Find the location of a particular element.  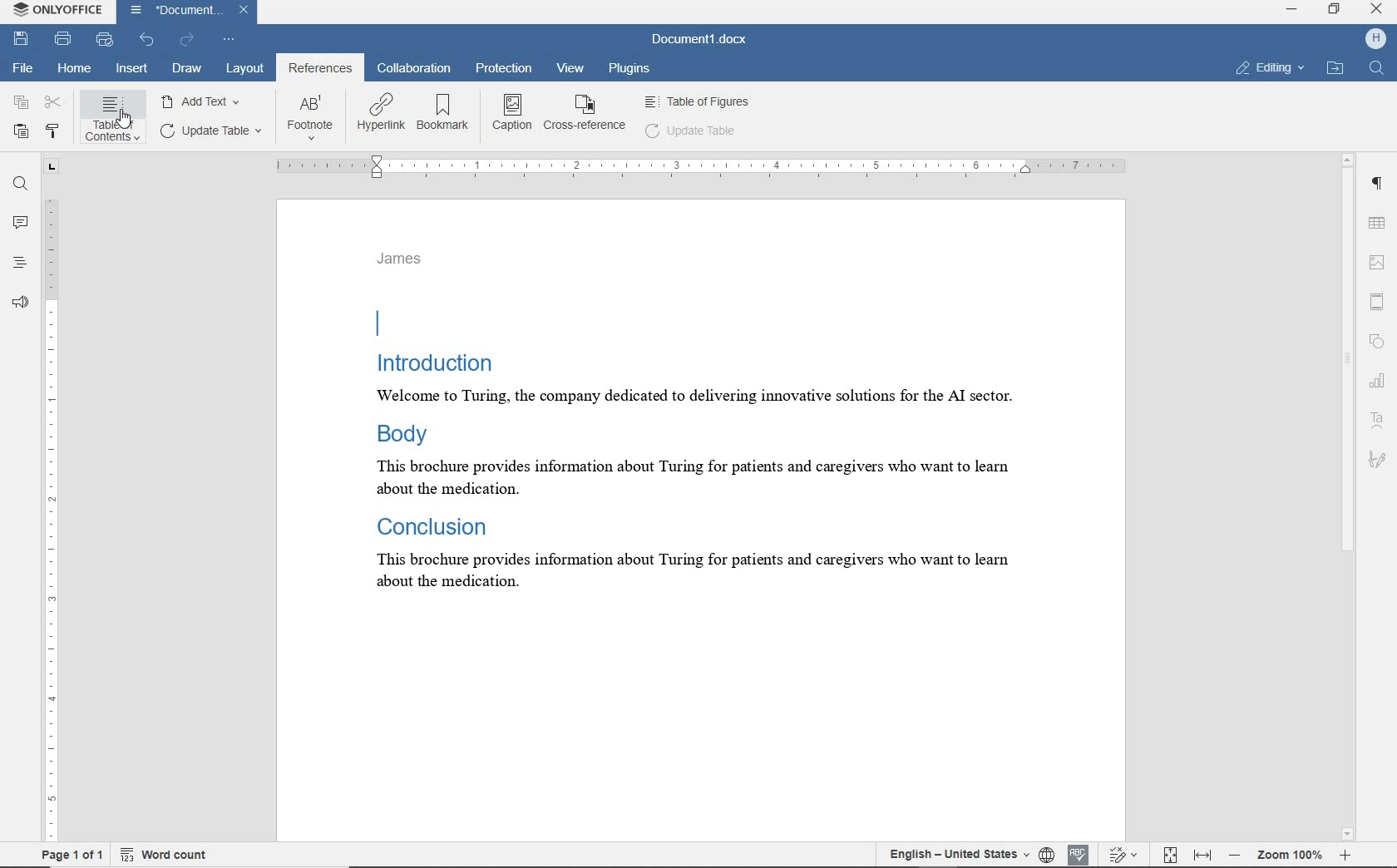

minimize is located at coordinates (1295, 11).